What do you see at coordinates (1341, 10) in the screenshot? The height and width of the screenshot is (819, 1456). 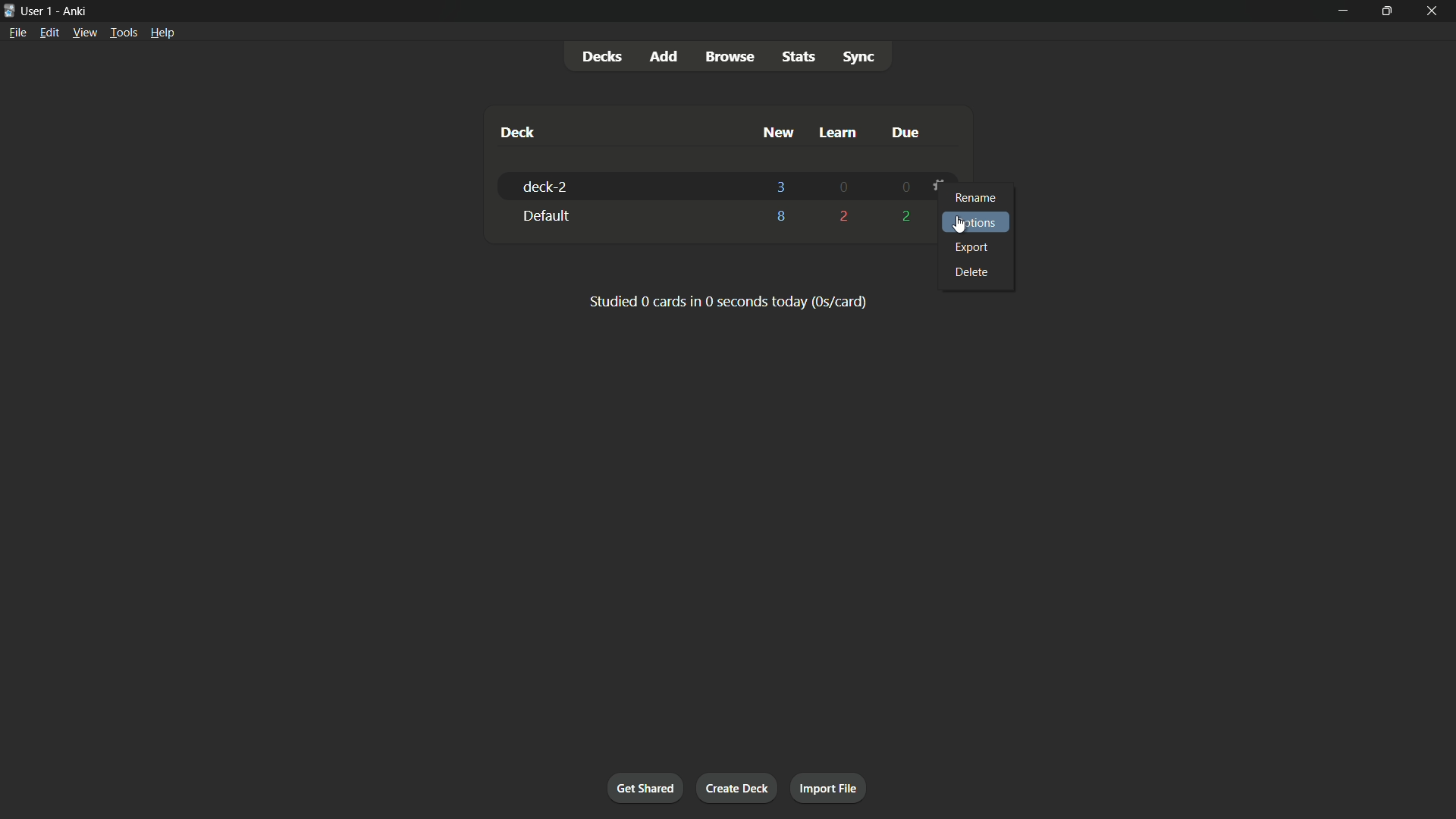 I see `minimize` at bounding box center [1341, 10].